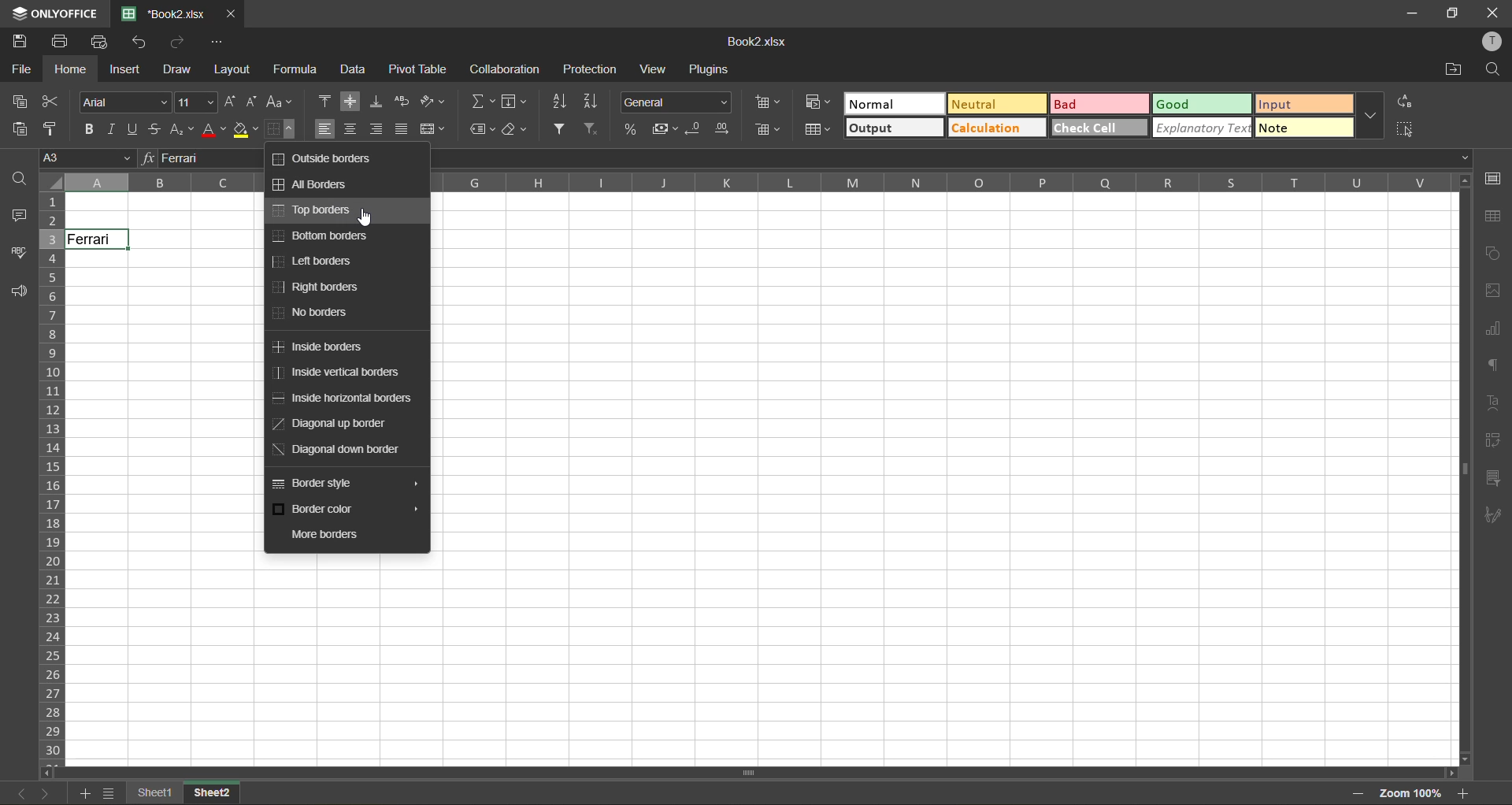  What do you see at coordinates (44, 794) in the screenshot?
I see `next` at bounding box center [44, 794].